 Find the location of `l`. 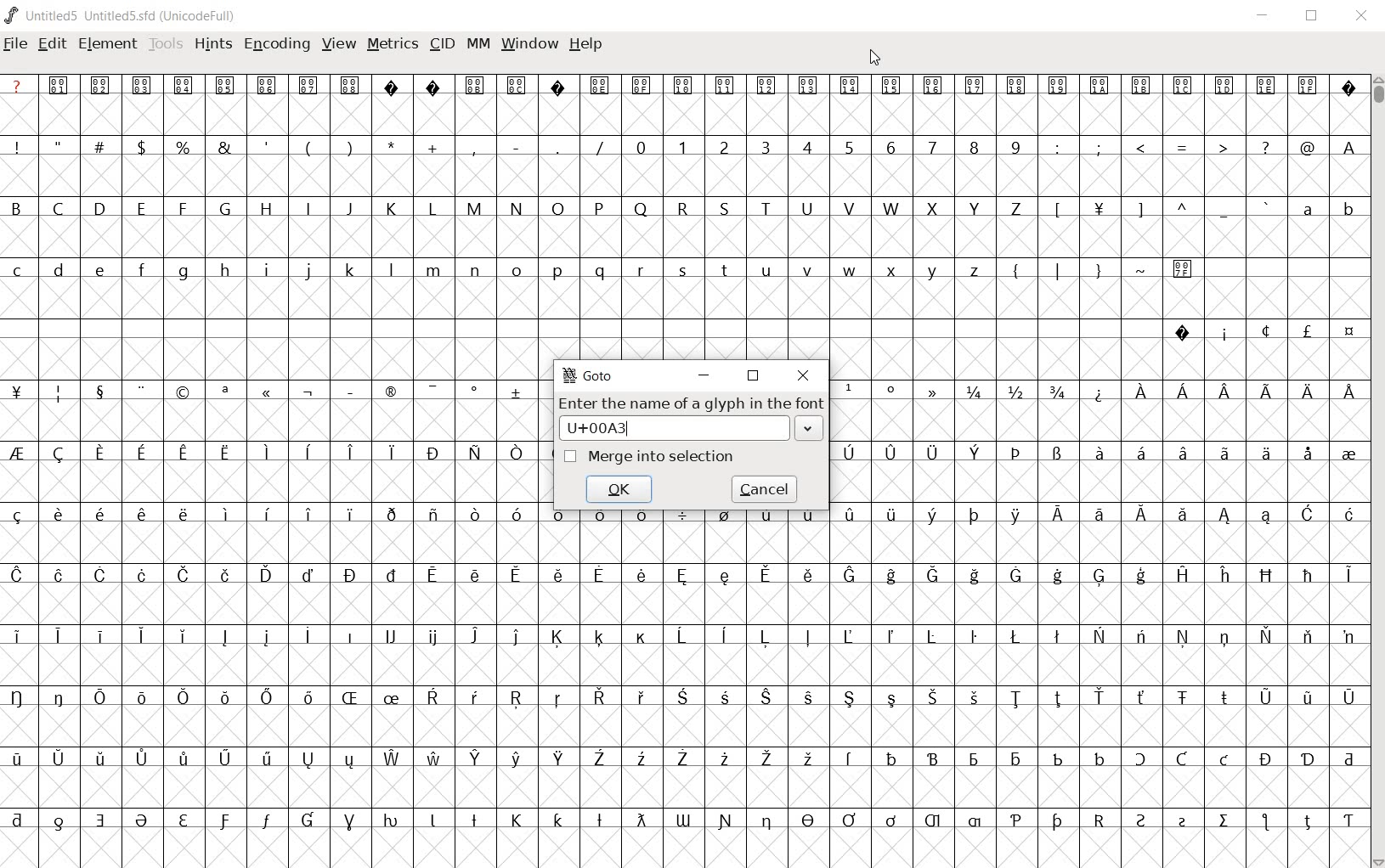

l is located at coordinates (392, 269).